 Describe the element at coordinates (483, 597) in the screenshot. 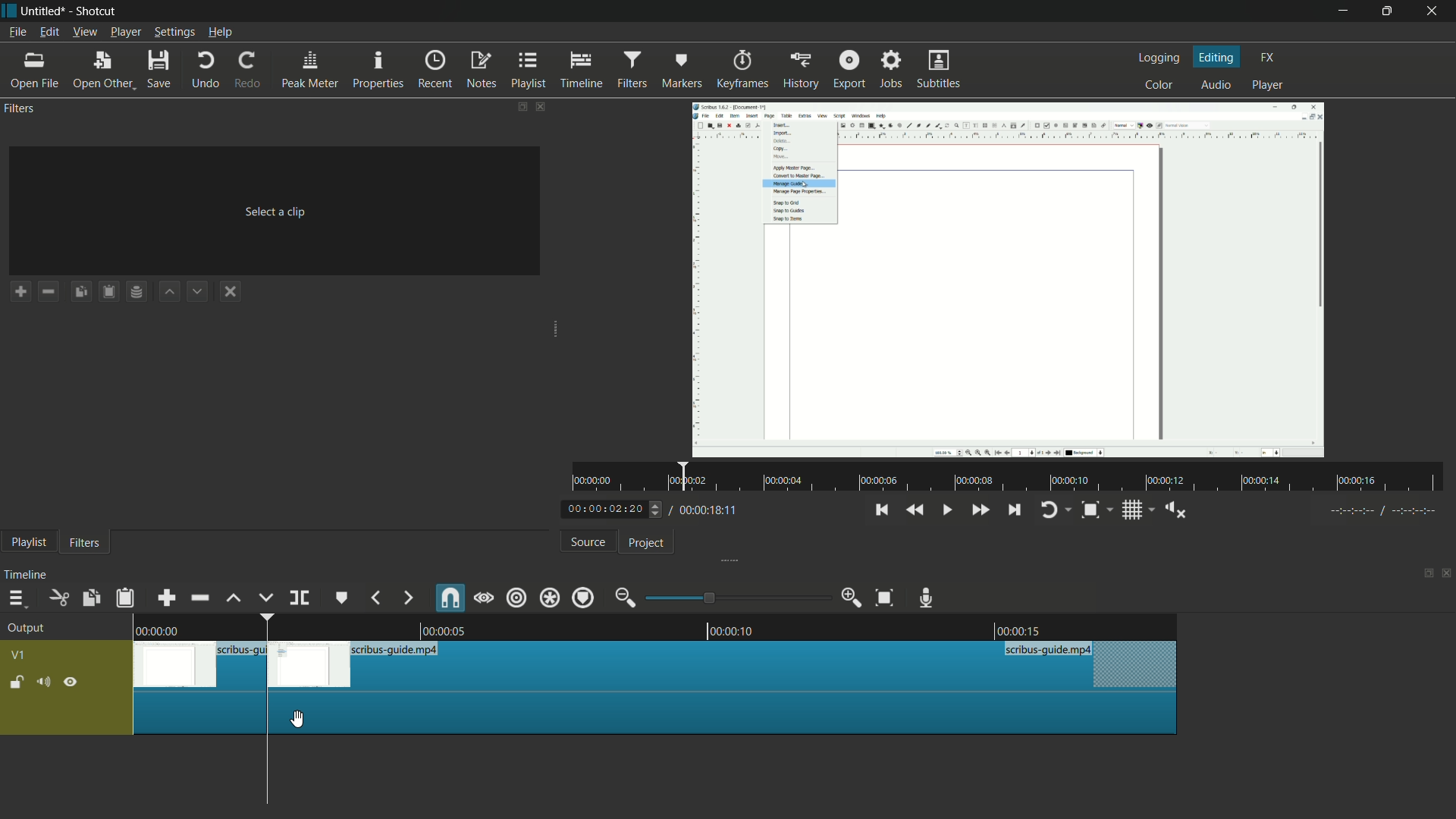

I see `scrub while dragging` at that location.